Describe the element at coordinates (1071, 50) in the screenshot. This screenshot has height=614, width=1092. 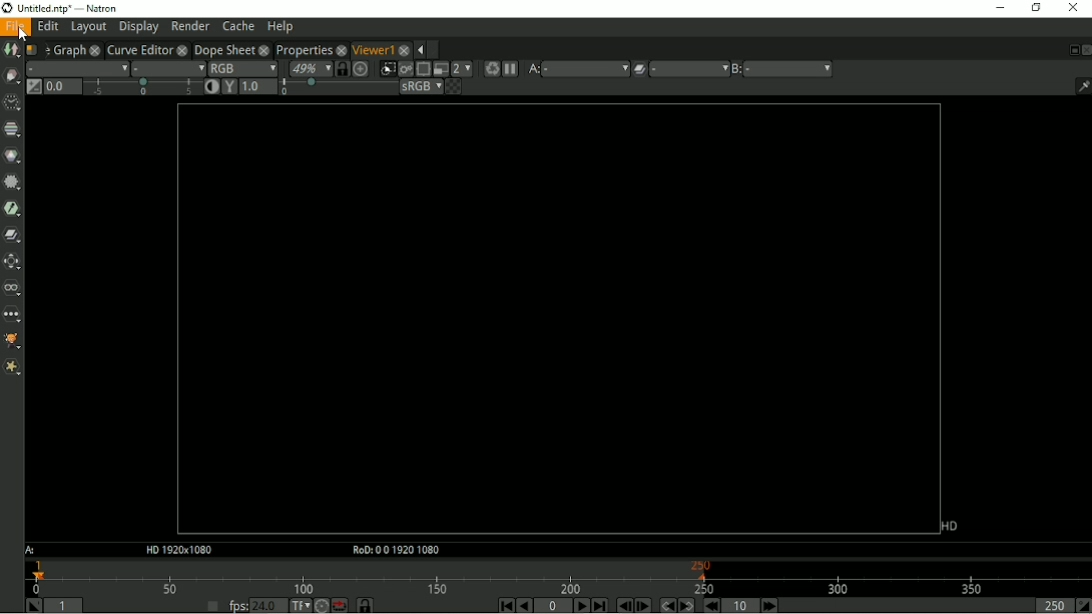
I see `Float pane` at that location.